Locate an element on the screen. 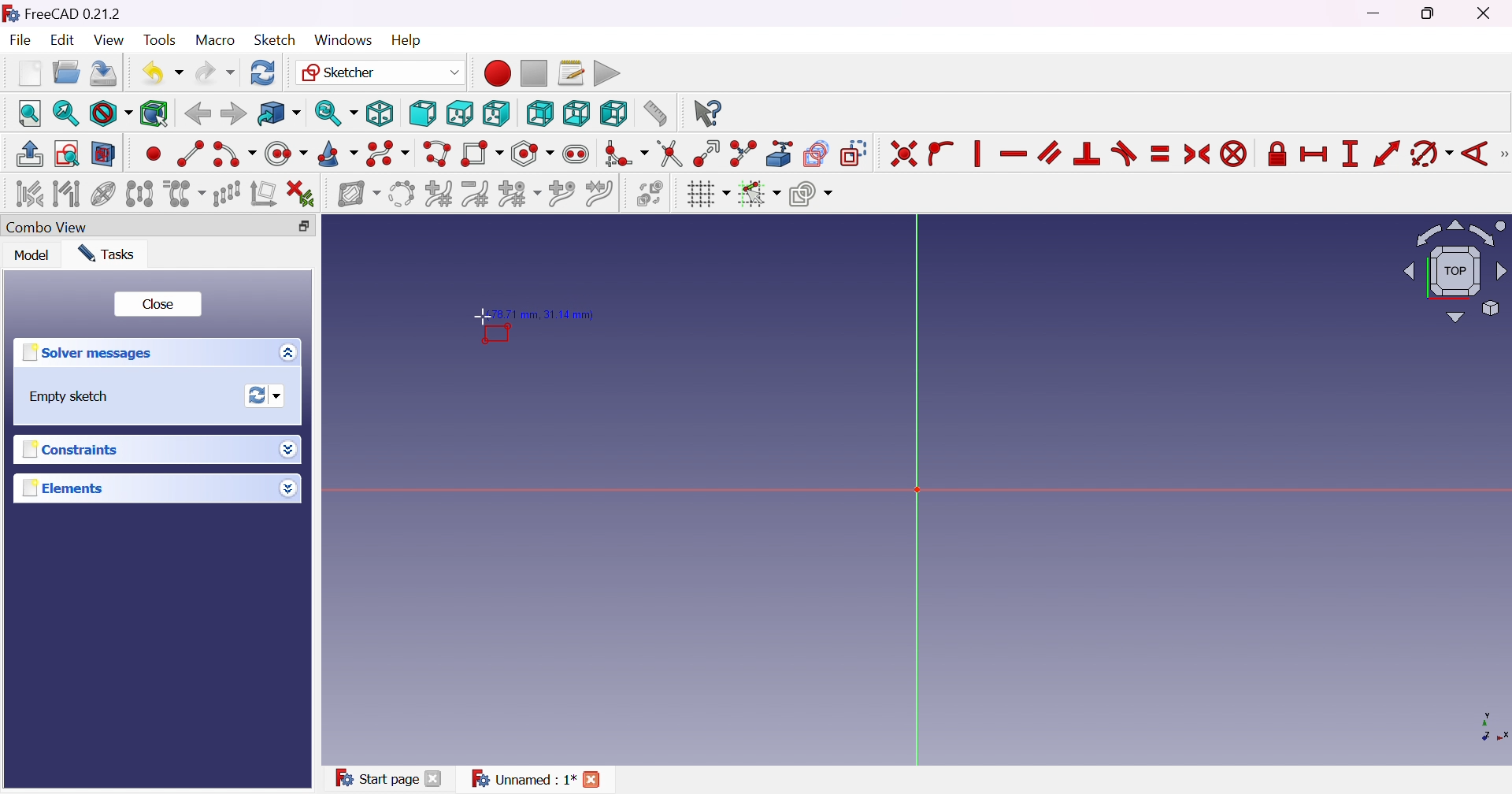  Show/hide B-spline information layer is located at coordinates (359, 195).